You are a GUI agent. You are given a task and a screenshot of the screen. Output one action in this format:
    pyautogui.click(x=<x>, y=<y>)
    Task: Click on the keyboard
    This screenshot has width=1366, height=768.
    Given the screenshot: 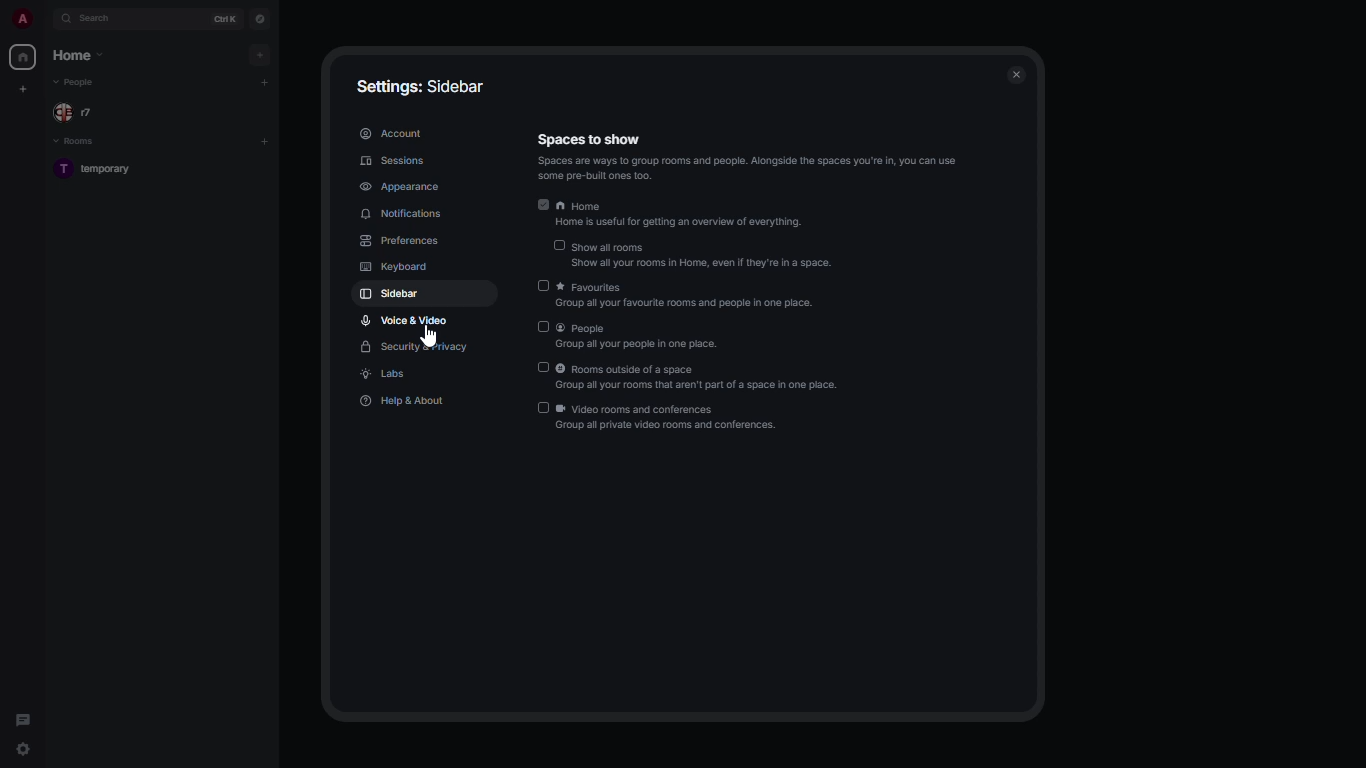 What is the action you would take?
    pyautogui.click(x=396, y=268)
    